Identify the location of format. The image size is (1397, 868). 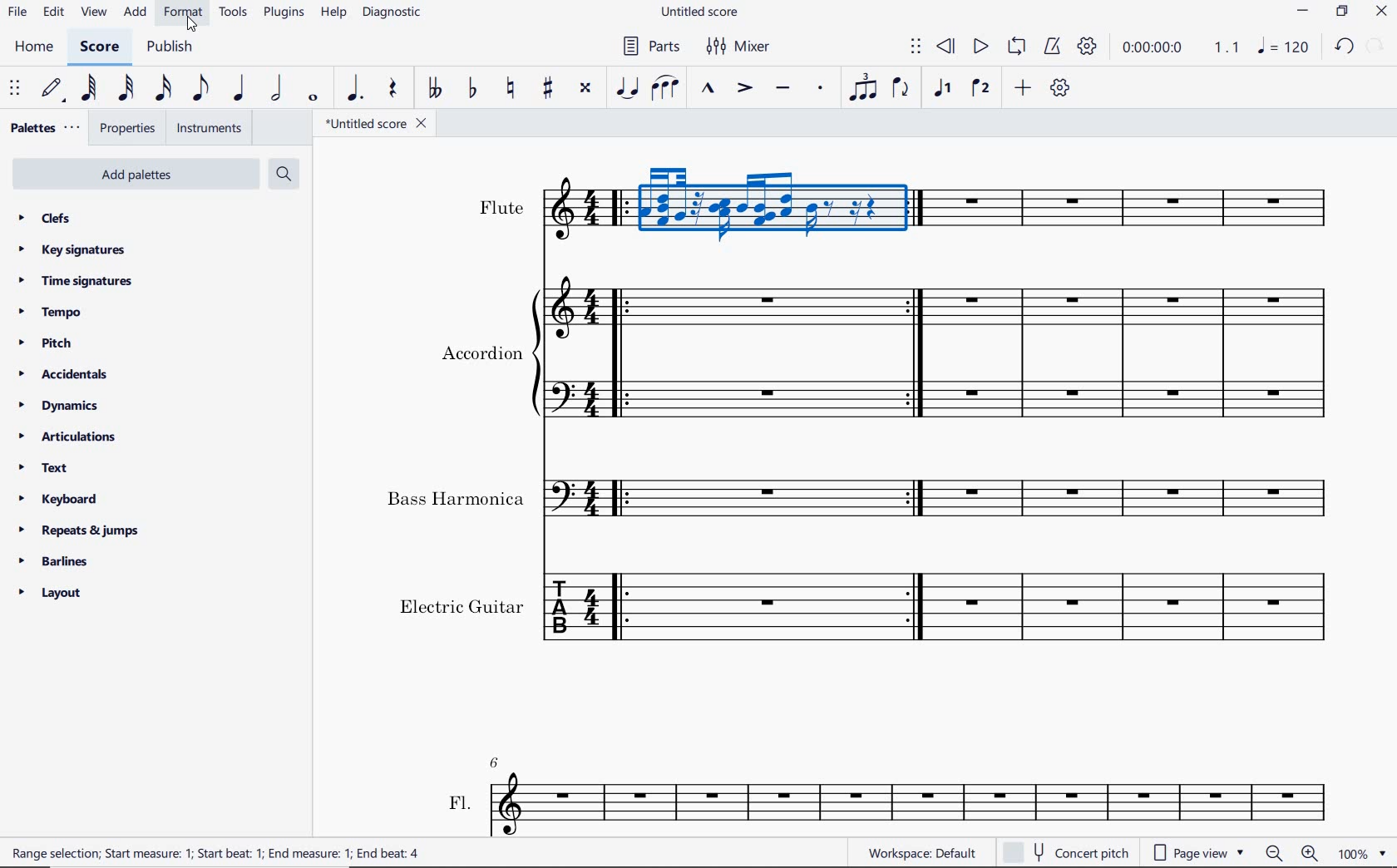
(183, 13).